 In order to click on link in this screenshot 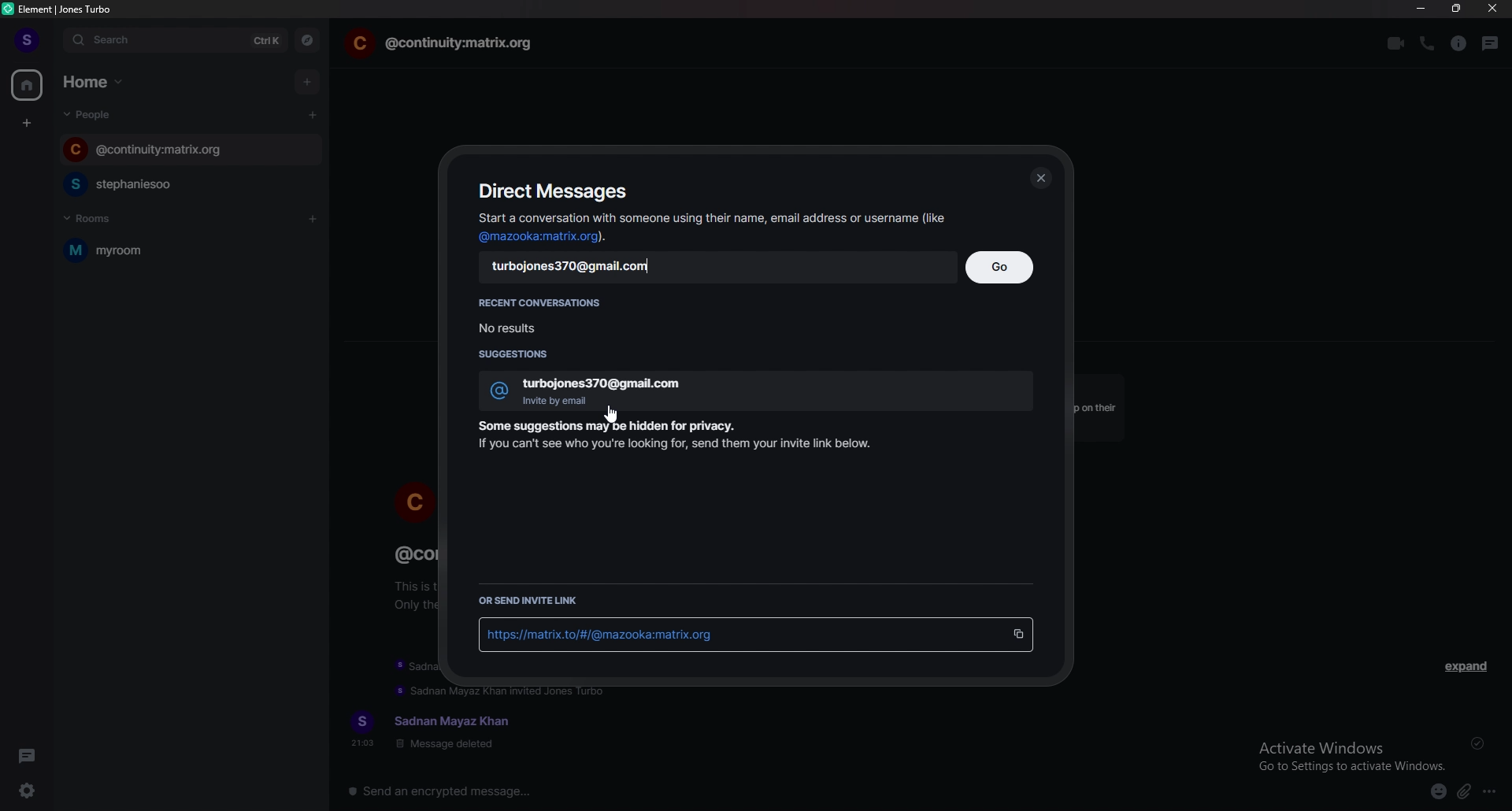, I will do `click(616, 633)`.